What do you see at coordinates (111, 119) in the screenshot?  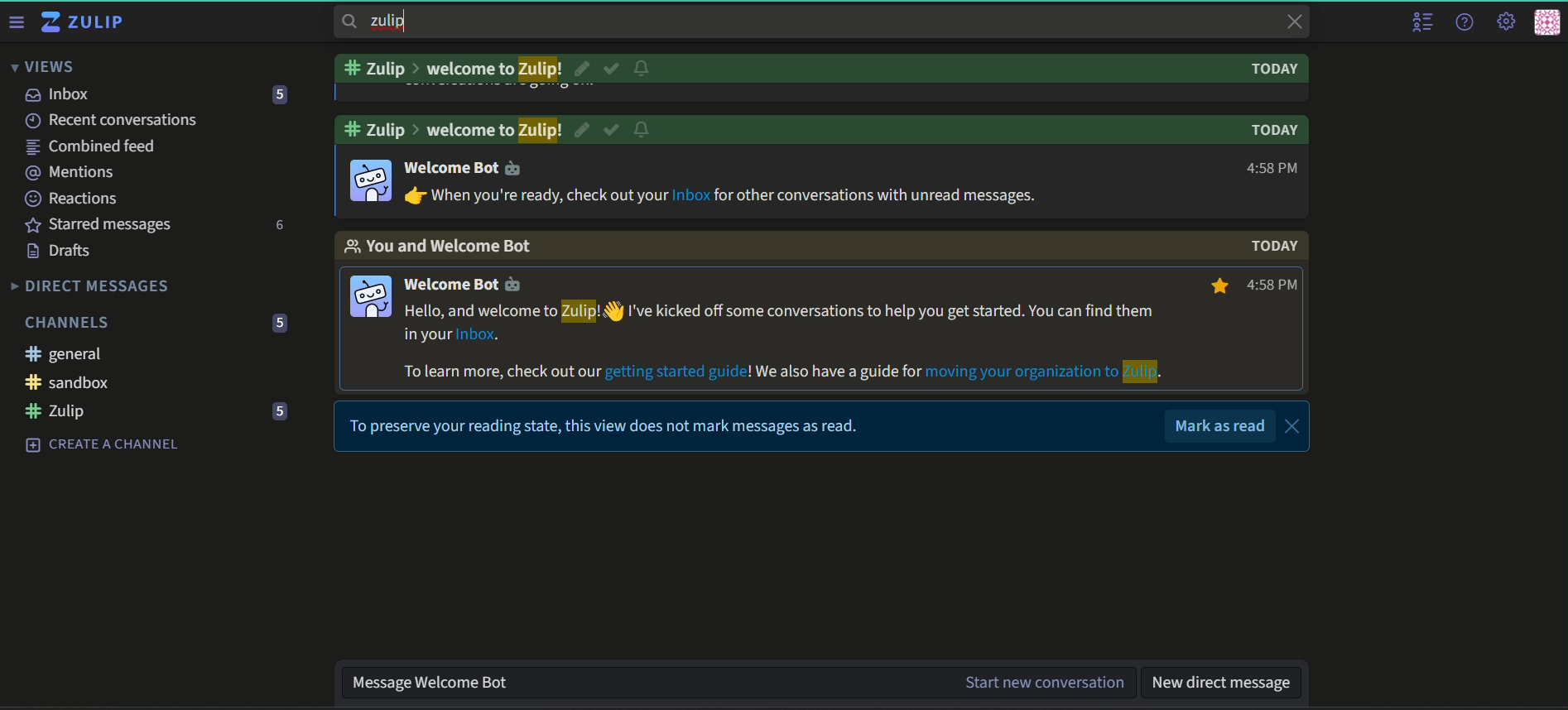 I see `recent conversations` at bounding box center [111, 119].